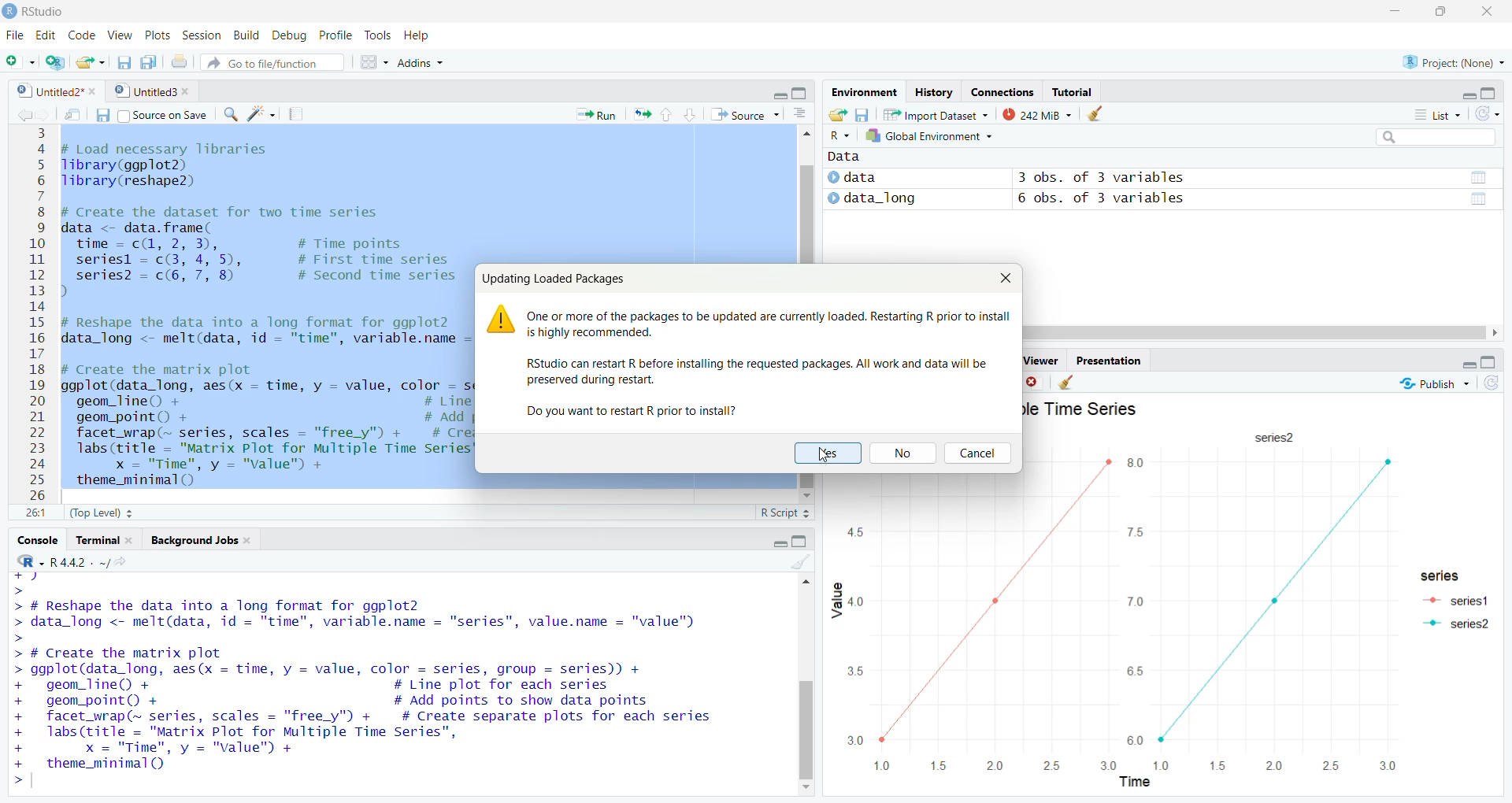 The height and width of the screenshot is (803, 1512). What do you see at coordinates (120, 35) in the screenshot?
I see `View` at bounding box center [120, 35].